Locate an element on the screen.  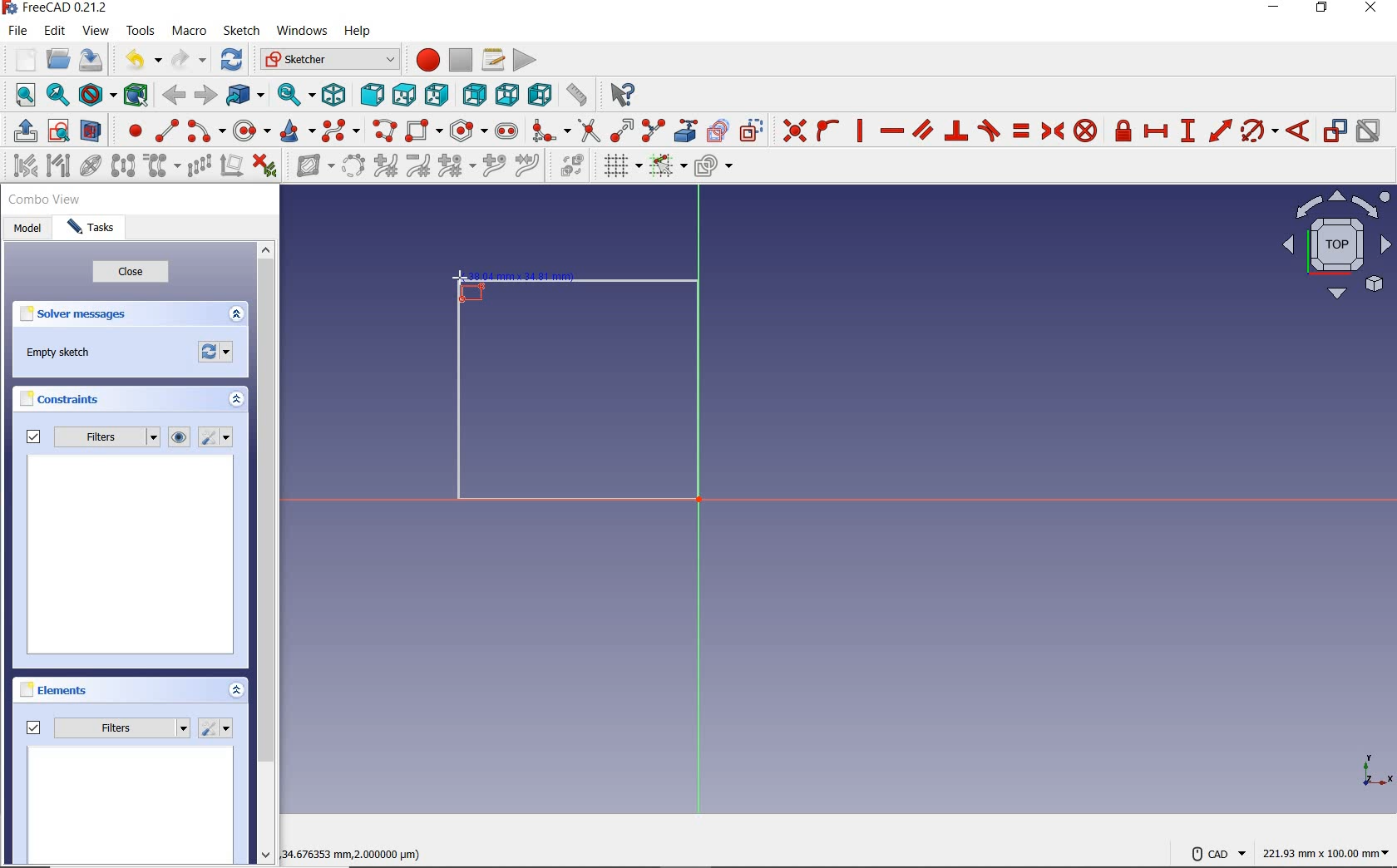
create external geometry is located at coordinates (687, 131).